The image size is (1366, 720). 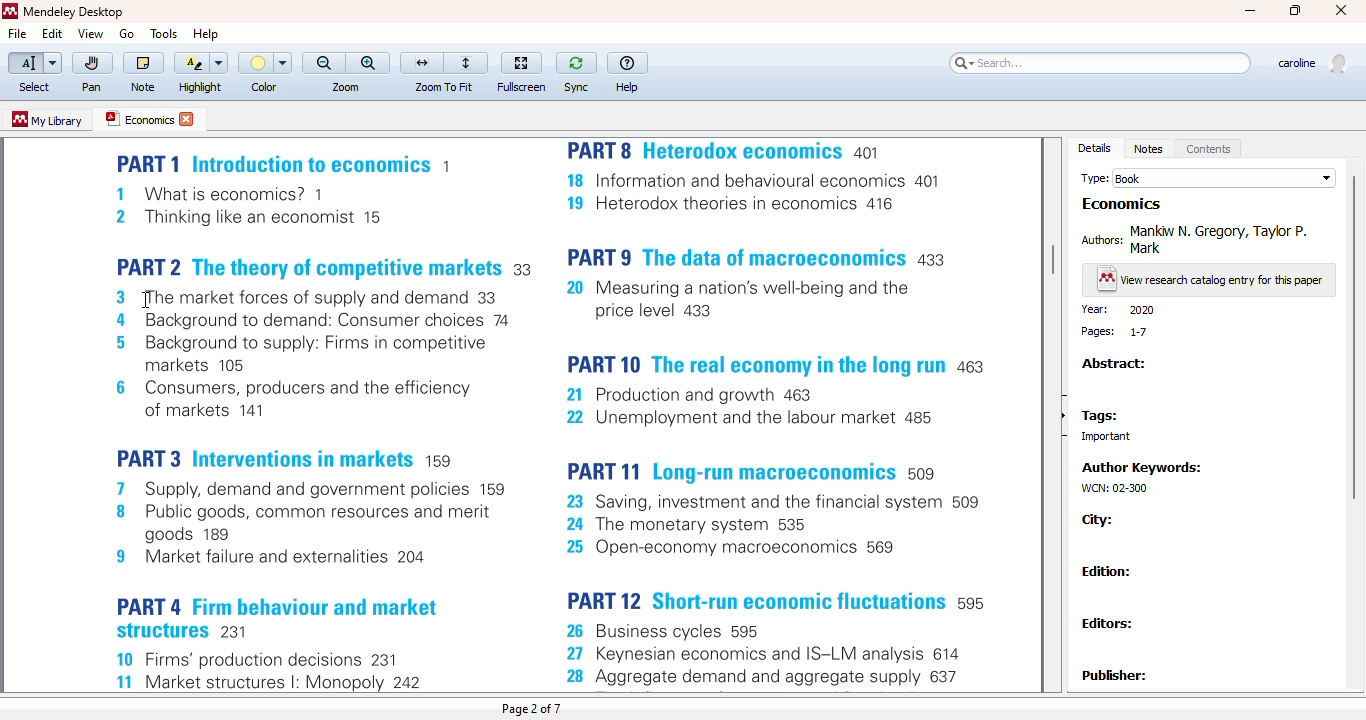 I want to click on zoom, so click(x=346, y=87).